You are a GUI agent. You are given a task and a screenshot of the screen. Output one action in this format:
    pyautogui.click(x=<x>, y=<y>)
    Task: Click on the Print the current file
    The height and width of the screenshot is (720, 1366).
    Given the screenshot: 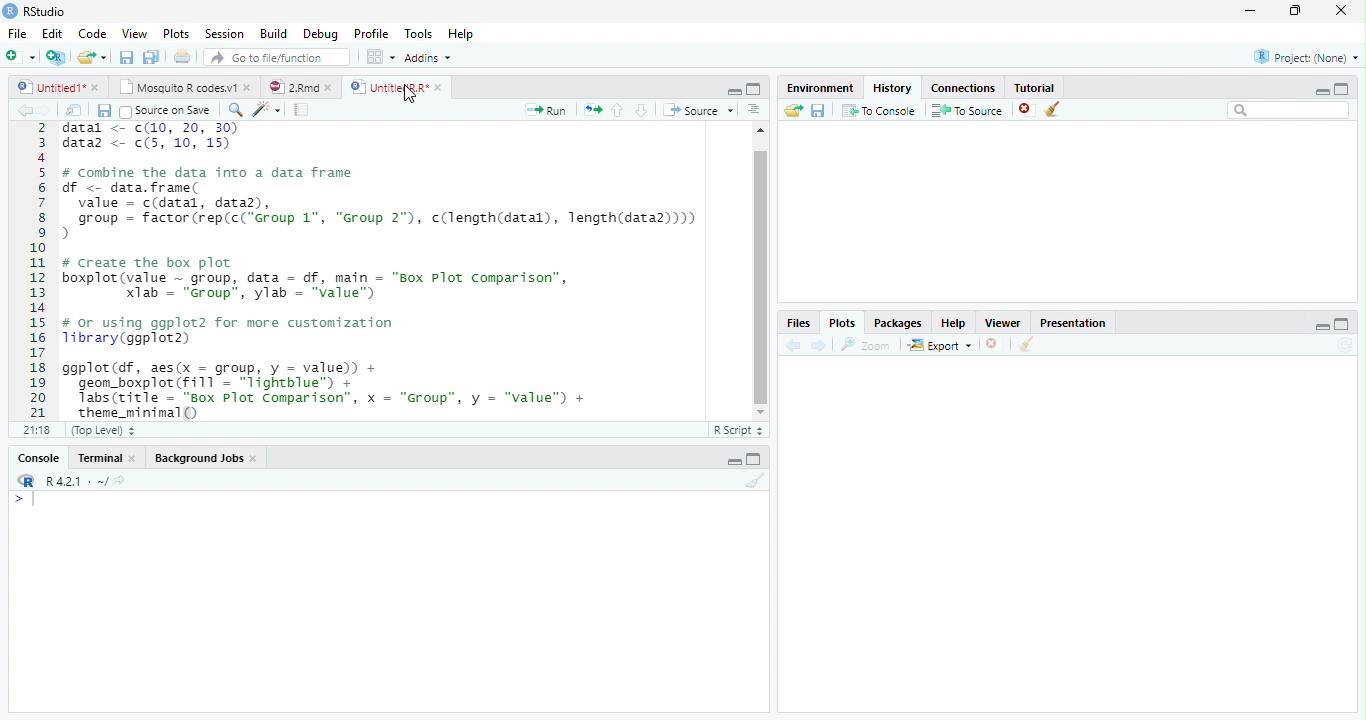 What is the action you would take?
    pyautogui.click(x=181, y=56)
    